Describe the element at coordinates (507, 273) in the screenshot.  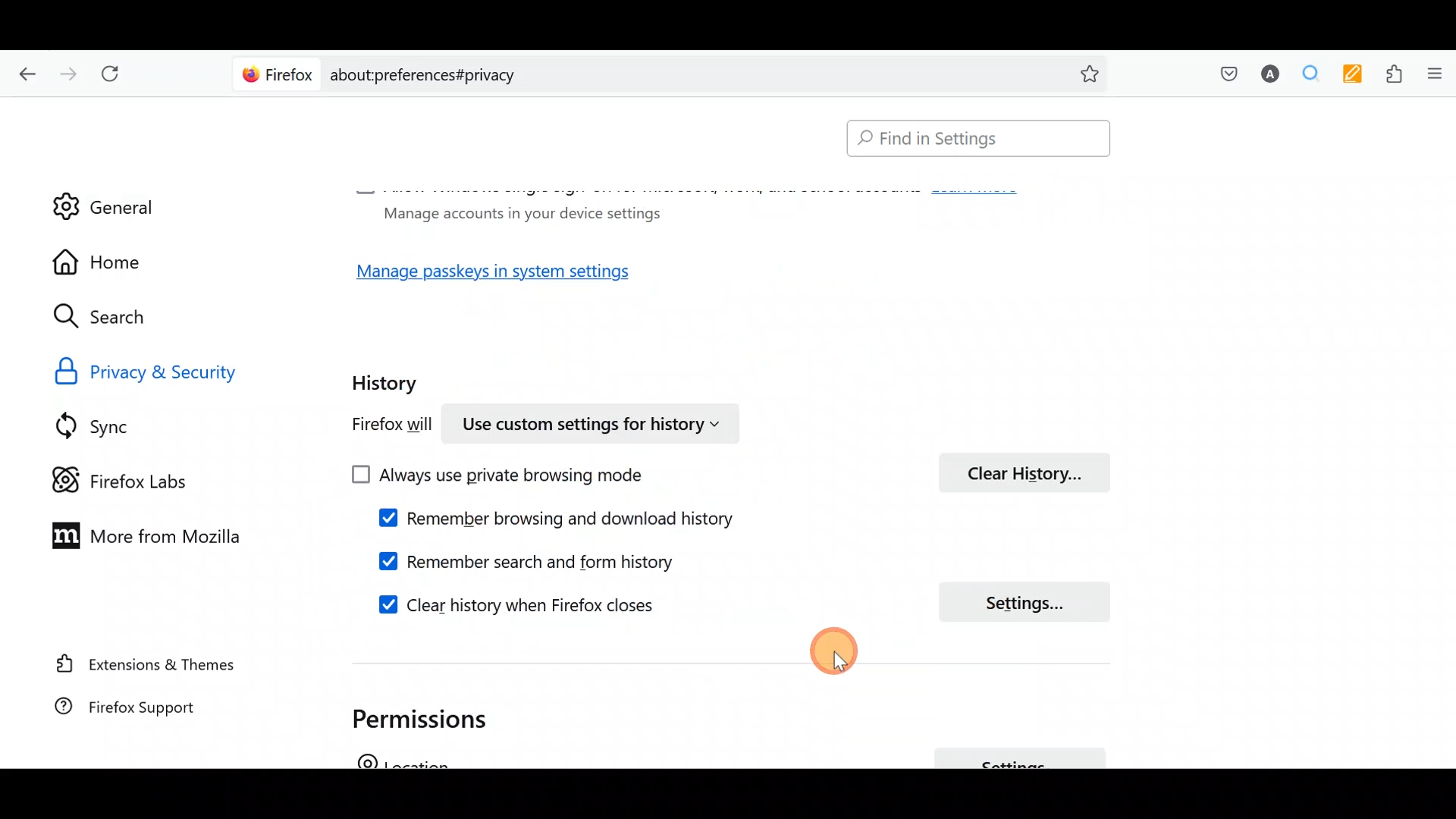
I see `Manage passkeys in system settings` at that location.